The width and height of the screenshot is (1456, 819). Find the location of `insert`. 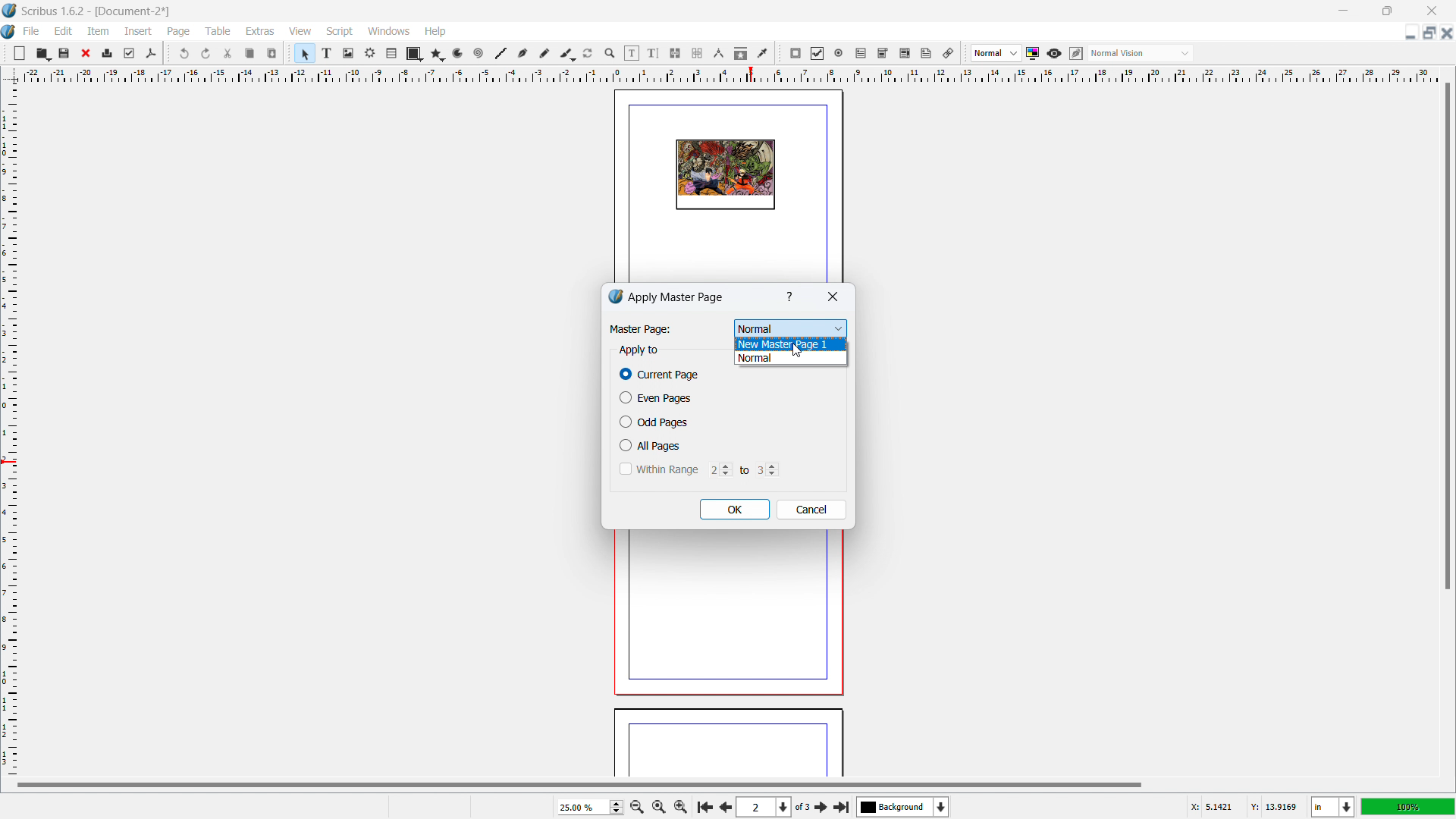

insert is located at coordinates (140, 31).